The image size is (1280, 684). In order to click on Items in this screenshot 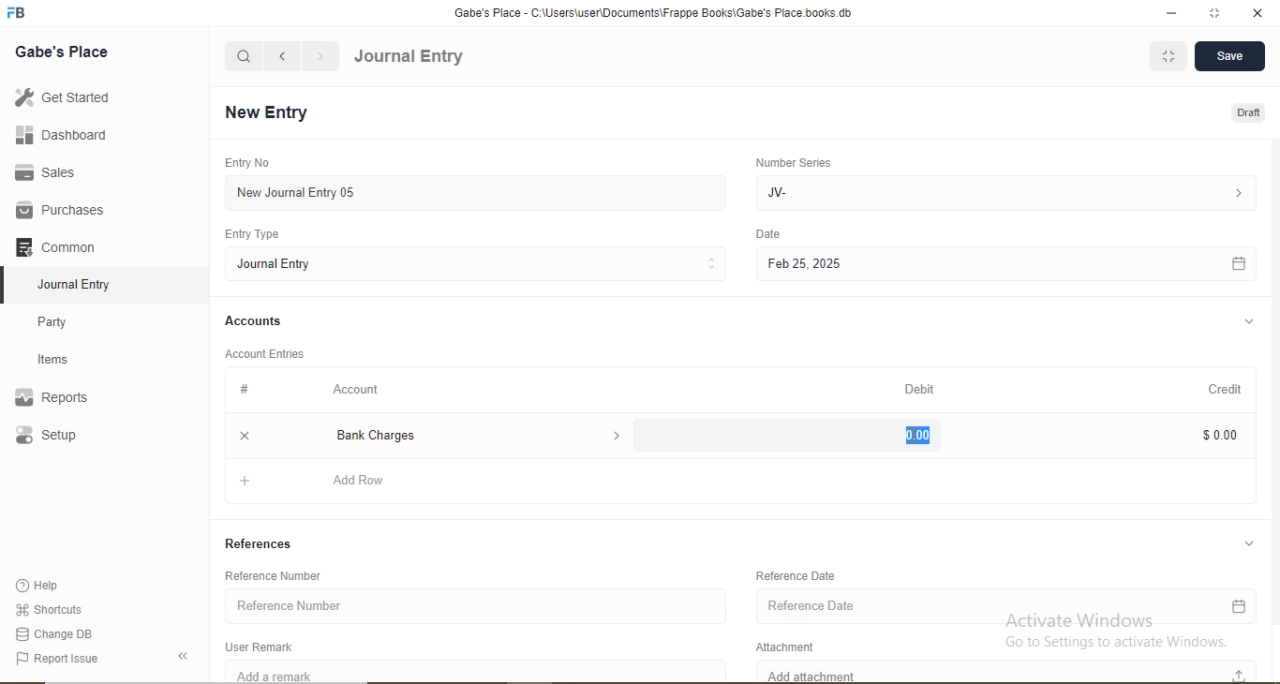, I will do `click(65, 359)`.